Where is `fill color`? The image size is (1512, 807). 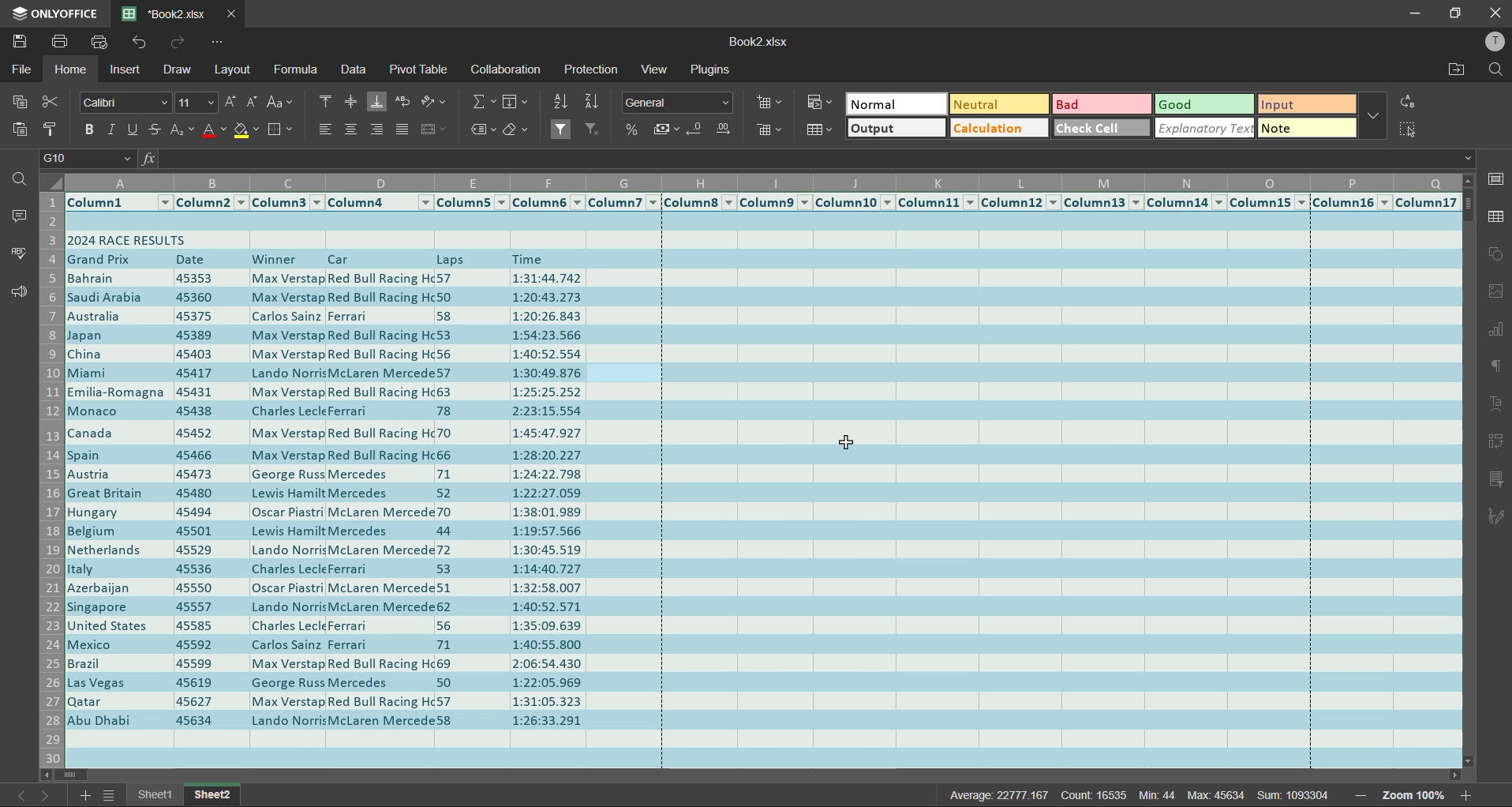
fill color is located at coordinates (246, 133).